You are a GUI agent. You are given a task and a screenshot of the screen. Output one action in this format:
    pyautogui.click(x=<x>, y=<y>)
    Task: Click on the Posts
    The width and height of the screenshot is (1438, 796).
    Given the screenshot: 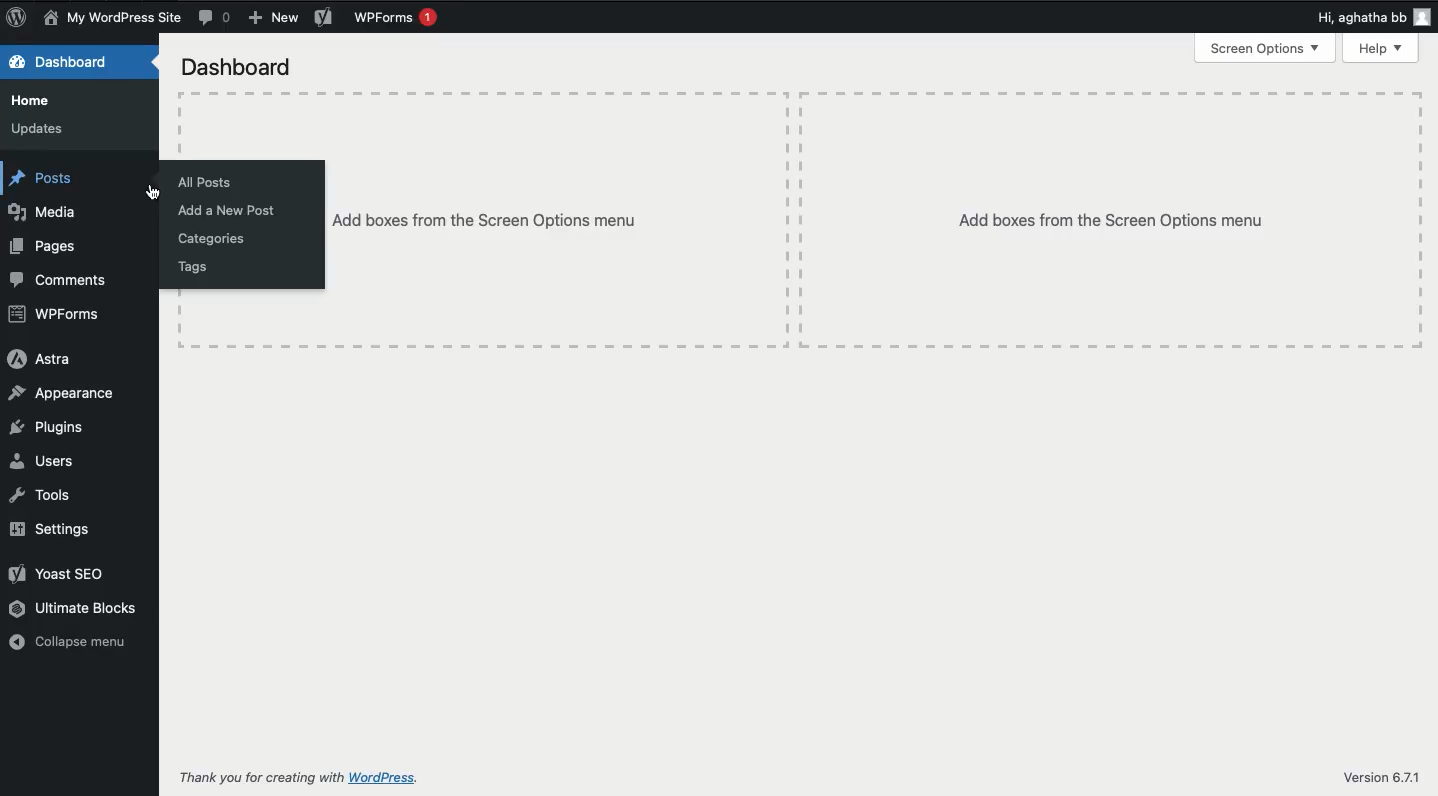 What is the action you would take?
    pyautogui.click(x=44, y=179)
    